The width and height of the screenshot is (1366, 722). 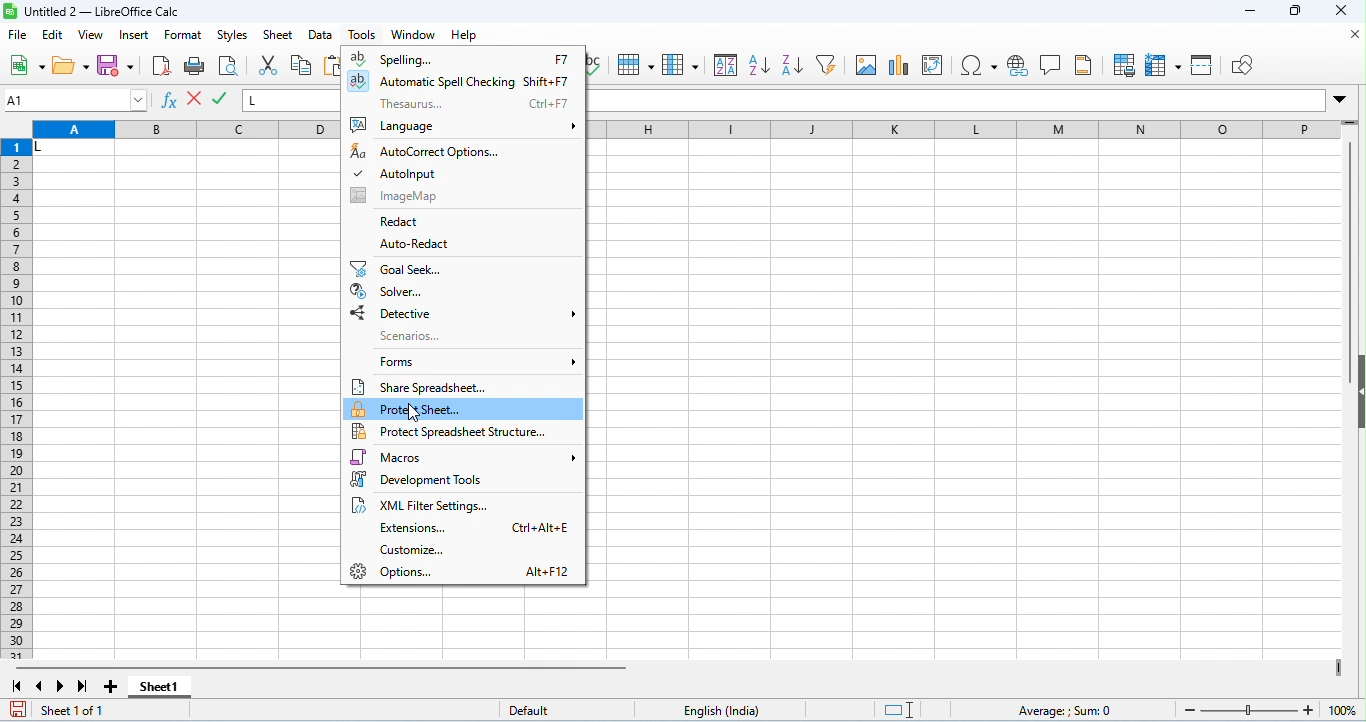 What do you see at coordinates (326, 668) in the screenshot?
I see `horizontal scroll bar` at bounding box center [326, 668].